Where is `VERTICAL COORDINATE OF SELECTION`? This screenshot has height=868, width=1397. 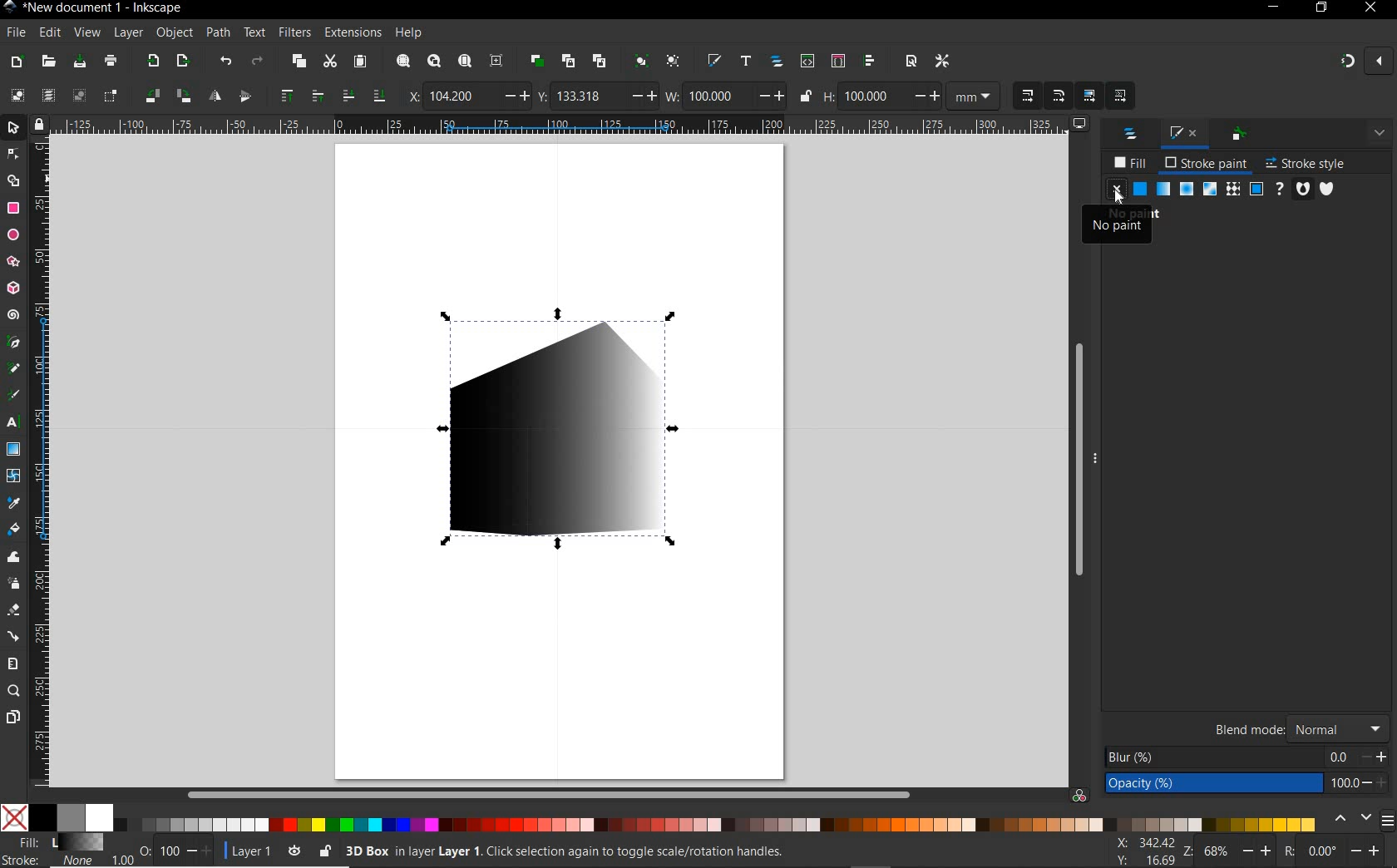 VERTICAL COORDINATE OF SELECTION is located at coordinates (543, 95).